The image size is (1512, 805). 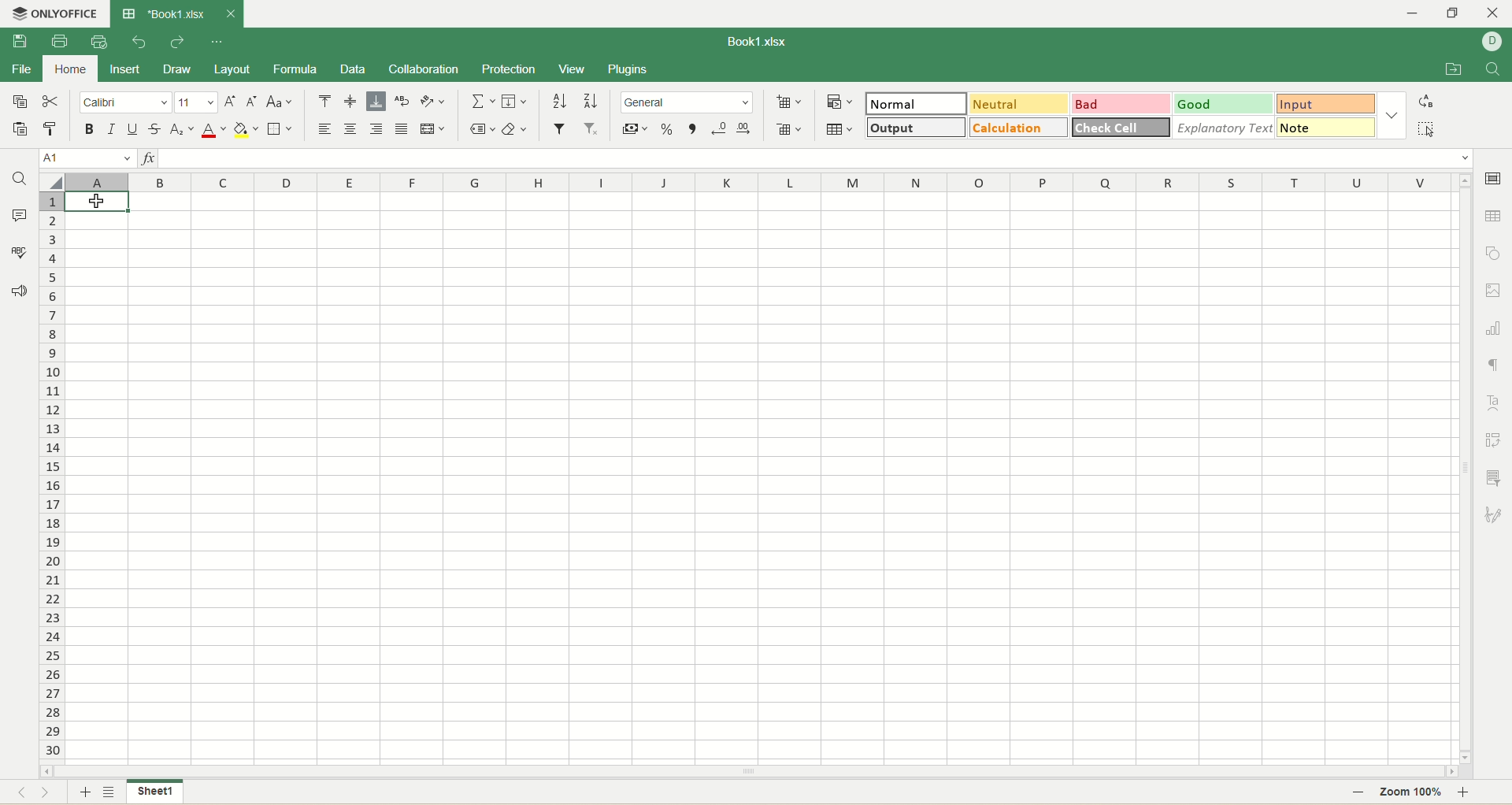 What do you see at coordinates (90, 128) in the screenshot?
I see `bold` at bounding box center [90, 128].